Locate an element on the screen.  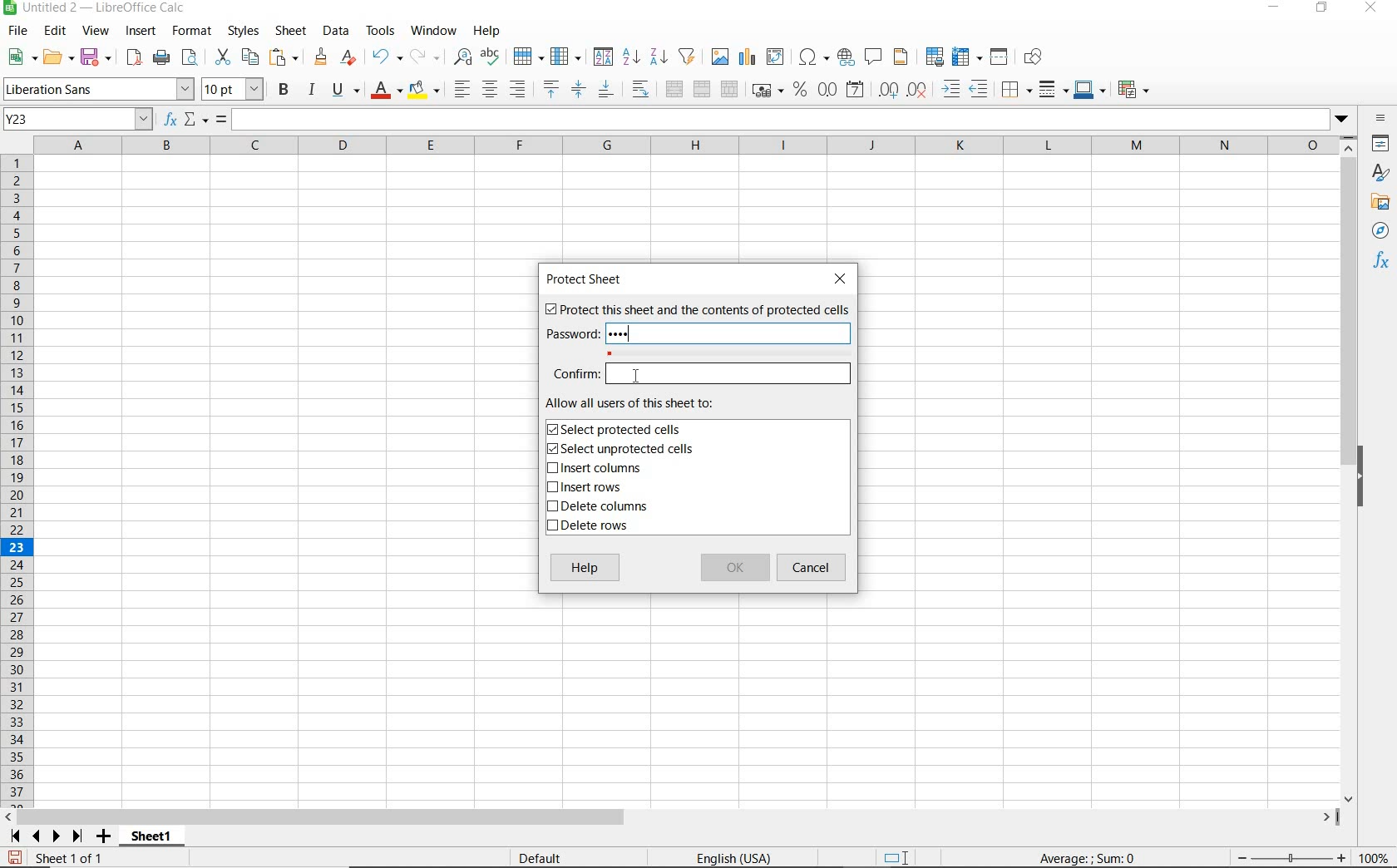
OPEN is located at coordinates (56, 57).